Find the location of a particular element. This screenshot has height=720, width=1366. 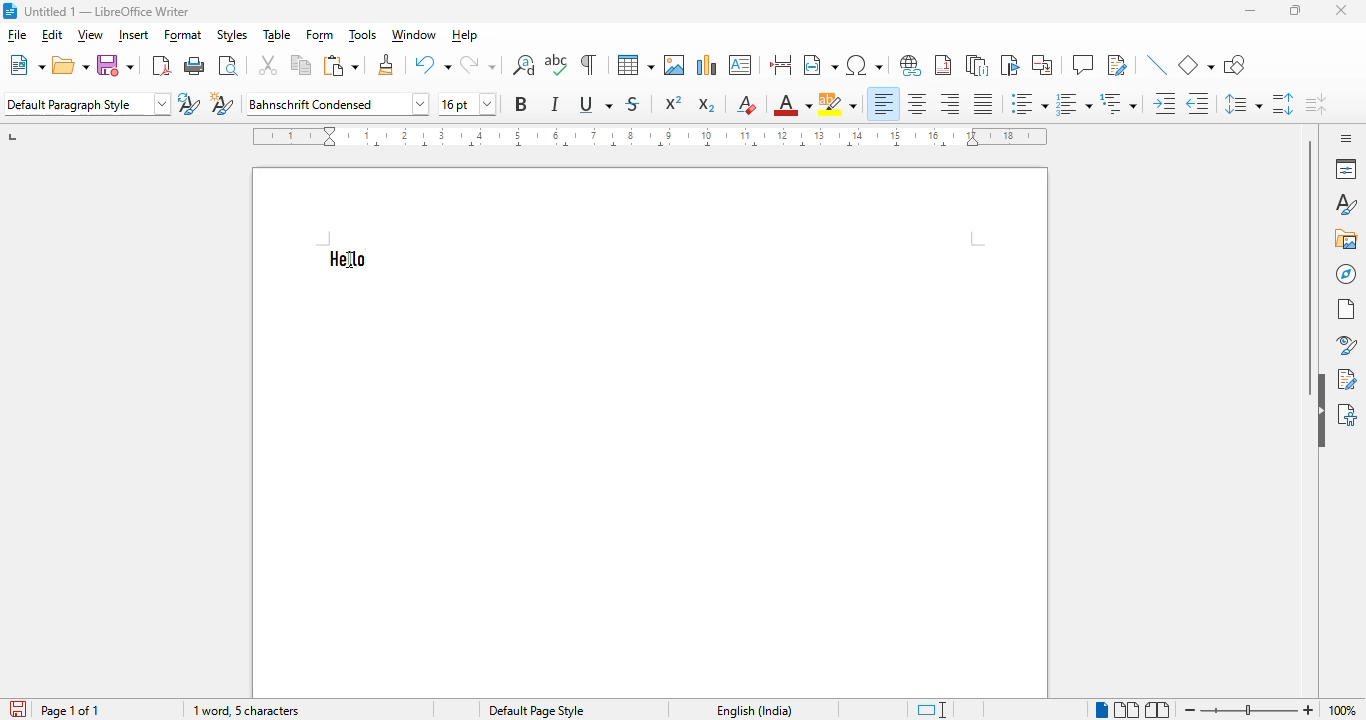

redo is located at coordinates (478, 65).